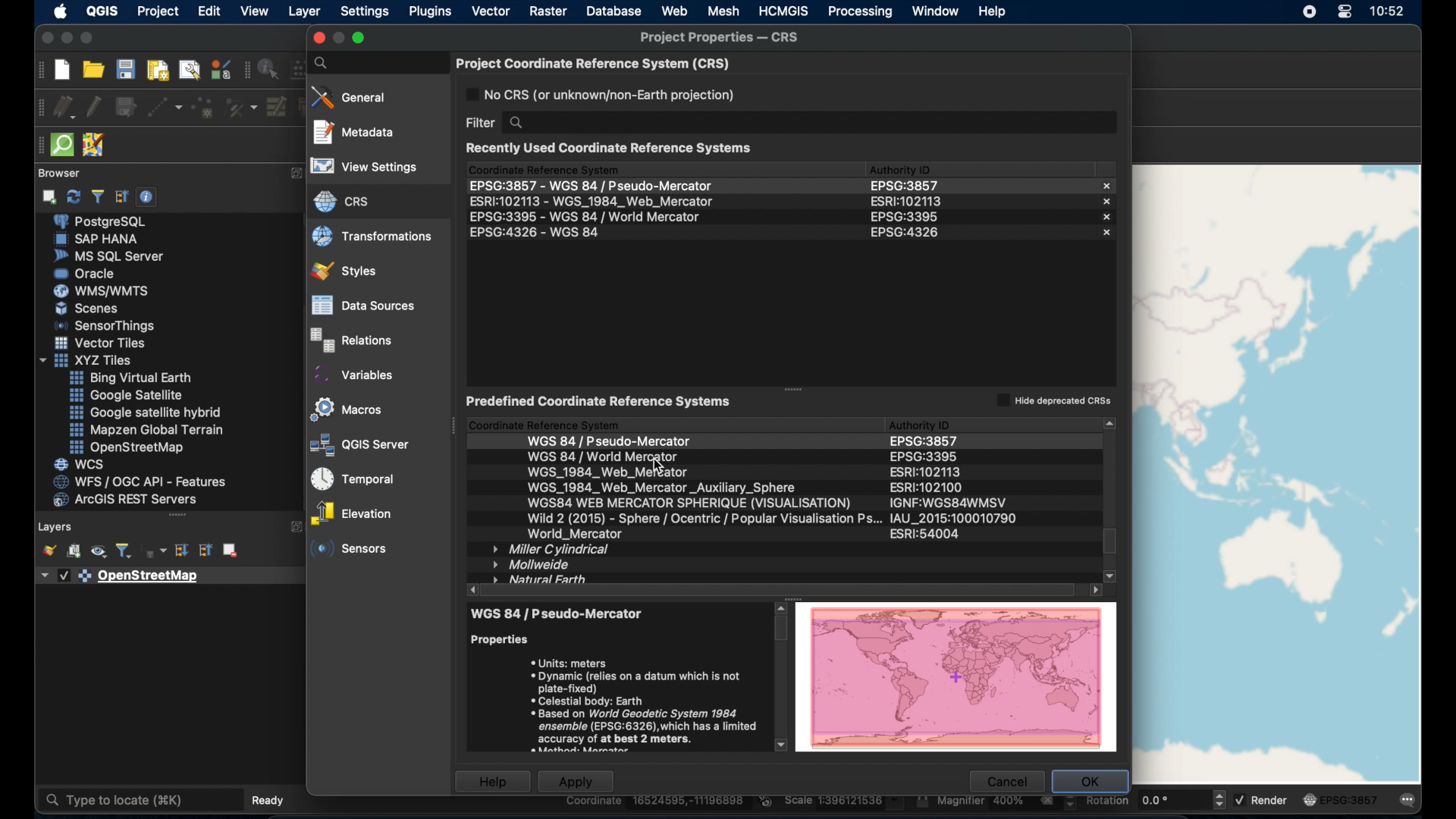 Image resolution: width=1456 pixels, height=819 pixels. I want to click on wgs  84/. world mercator, so click(599, 457).